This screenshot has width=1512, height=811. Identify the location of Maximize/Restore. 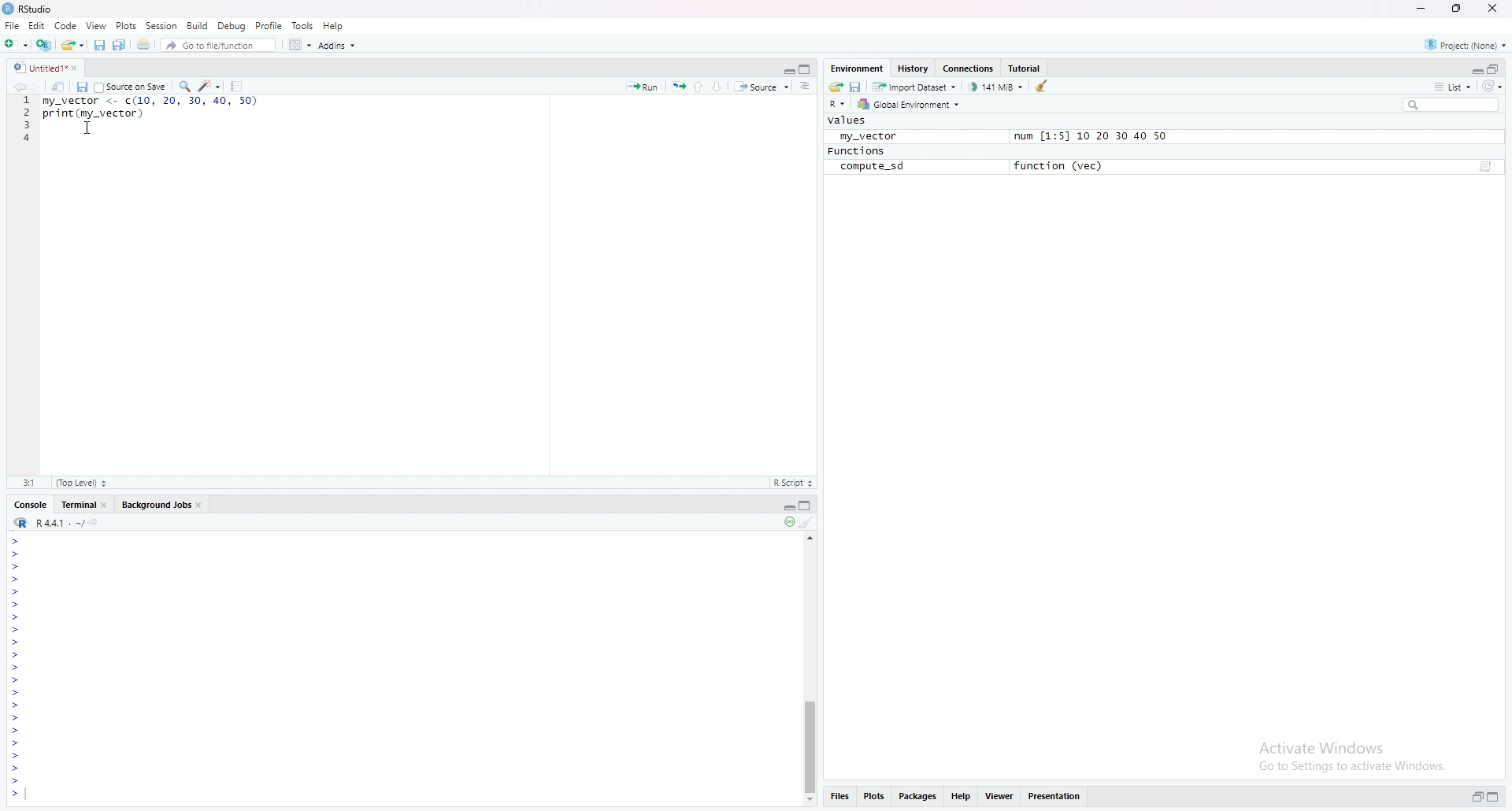
(1455, 9).